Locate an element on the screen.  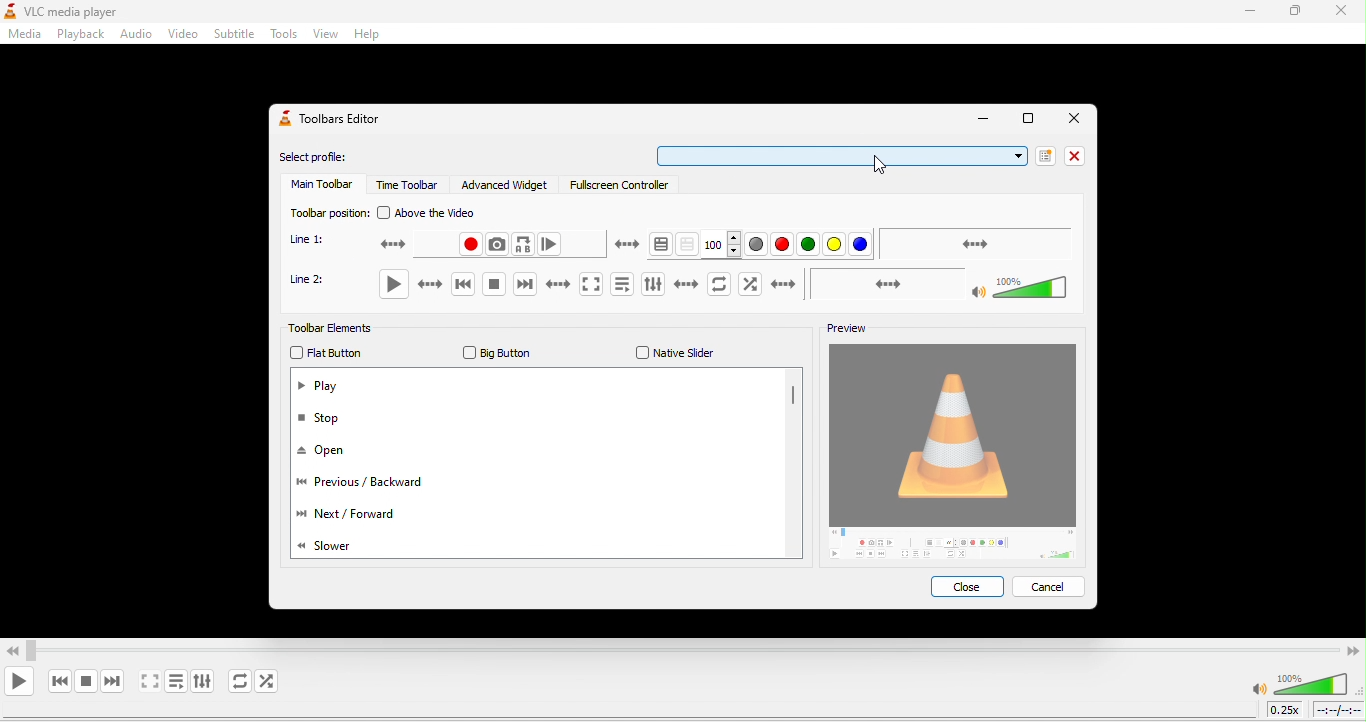
green color is located at coordinates (806, 245).